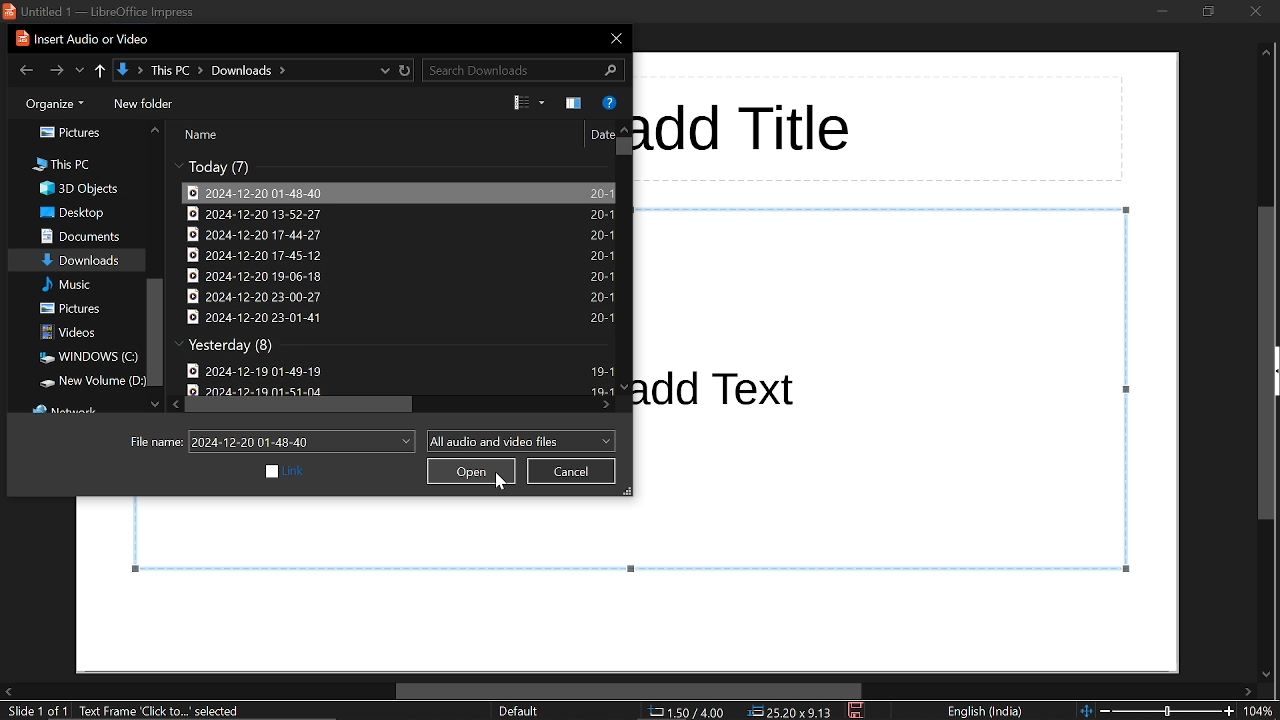 The height and width of the screenshot is (720, 1280). What do you see at coordinates (176, 403) in the screenshot?
I see `move left` at bounding box center [176, 403].